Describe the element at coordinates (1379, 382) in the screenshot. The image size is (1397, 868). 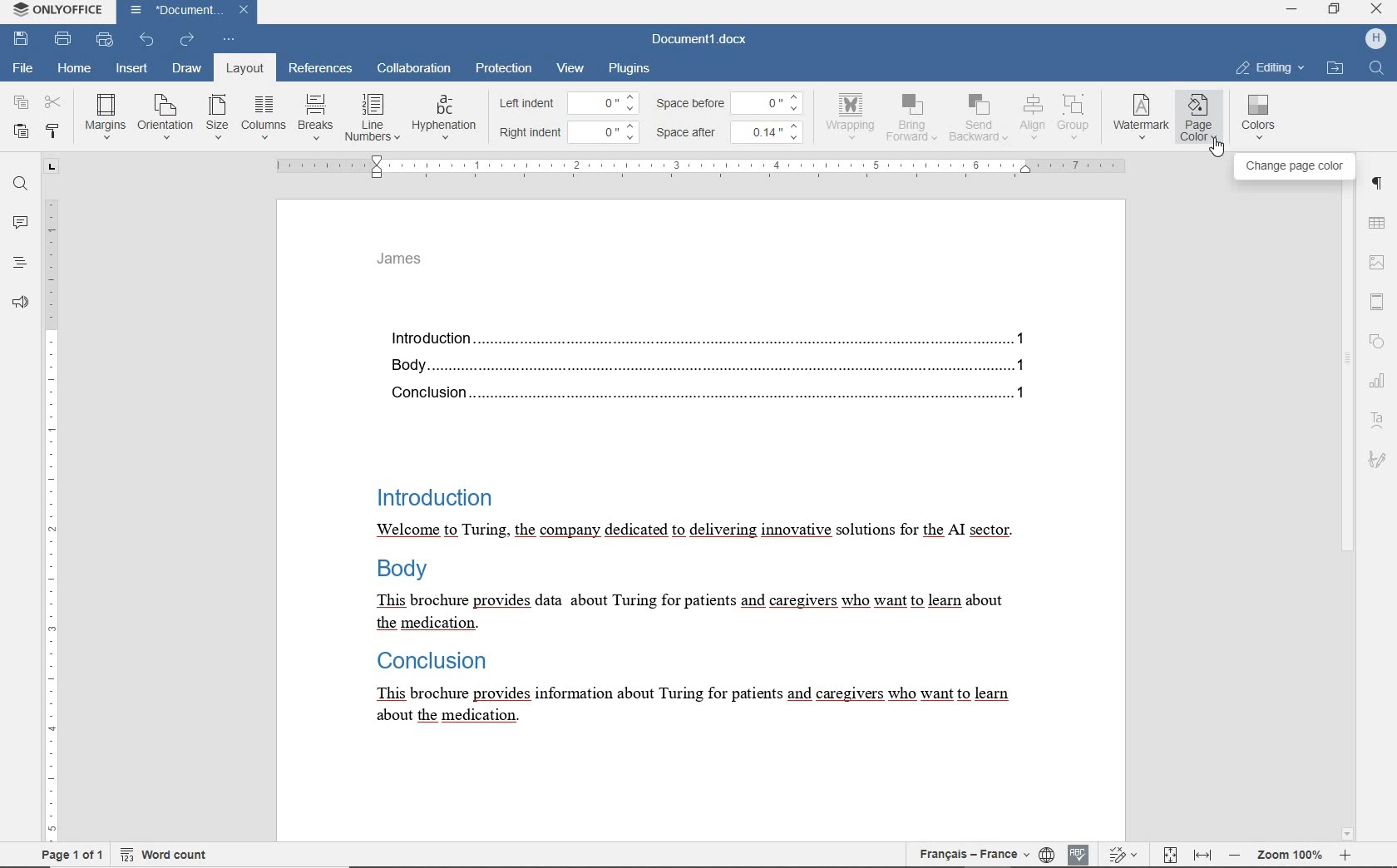
I see `chart` at that location.